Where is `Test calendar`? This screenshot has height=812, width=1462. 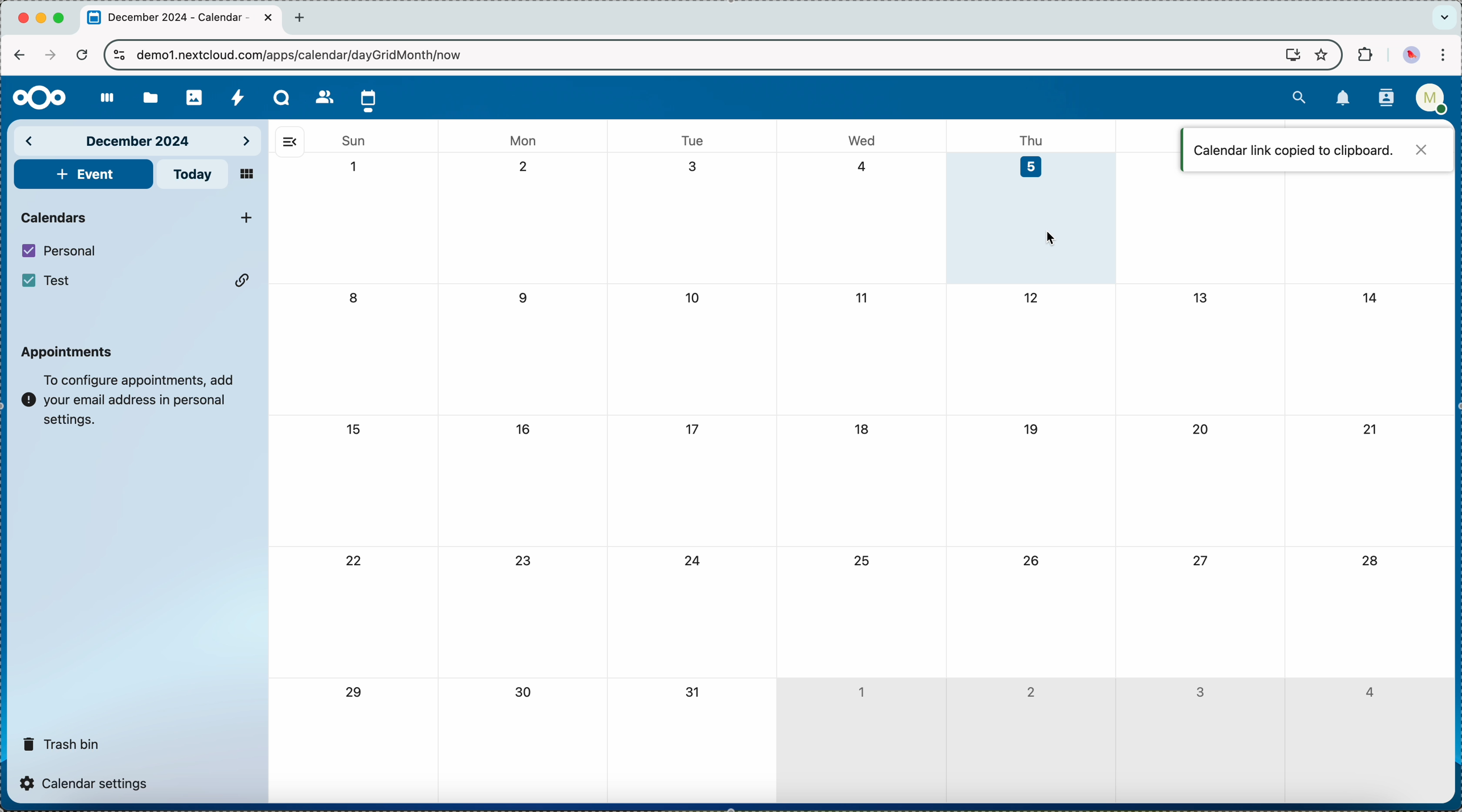 Test calendar is located at coordinates (140, 281).